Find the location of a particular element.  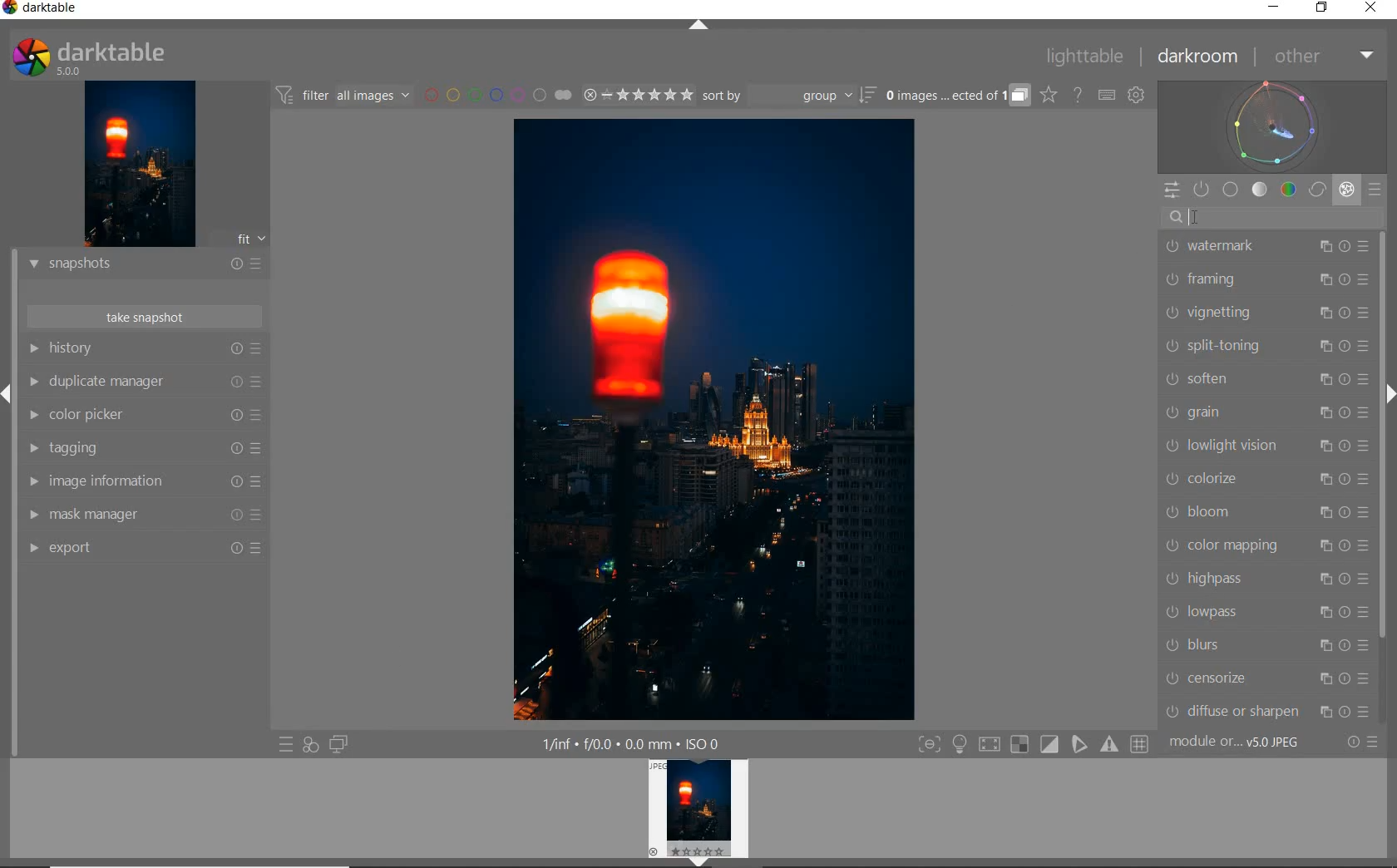

BLURS is located at coordinates (1221, 646).